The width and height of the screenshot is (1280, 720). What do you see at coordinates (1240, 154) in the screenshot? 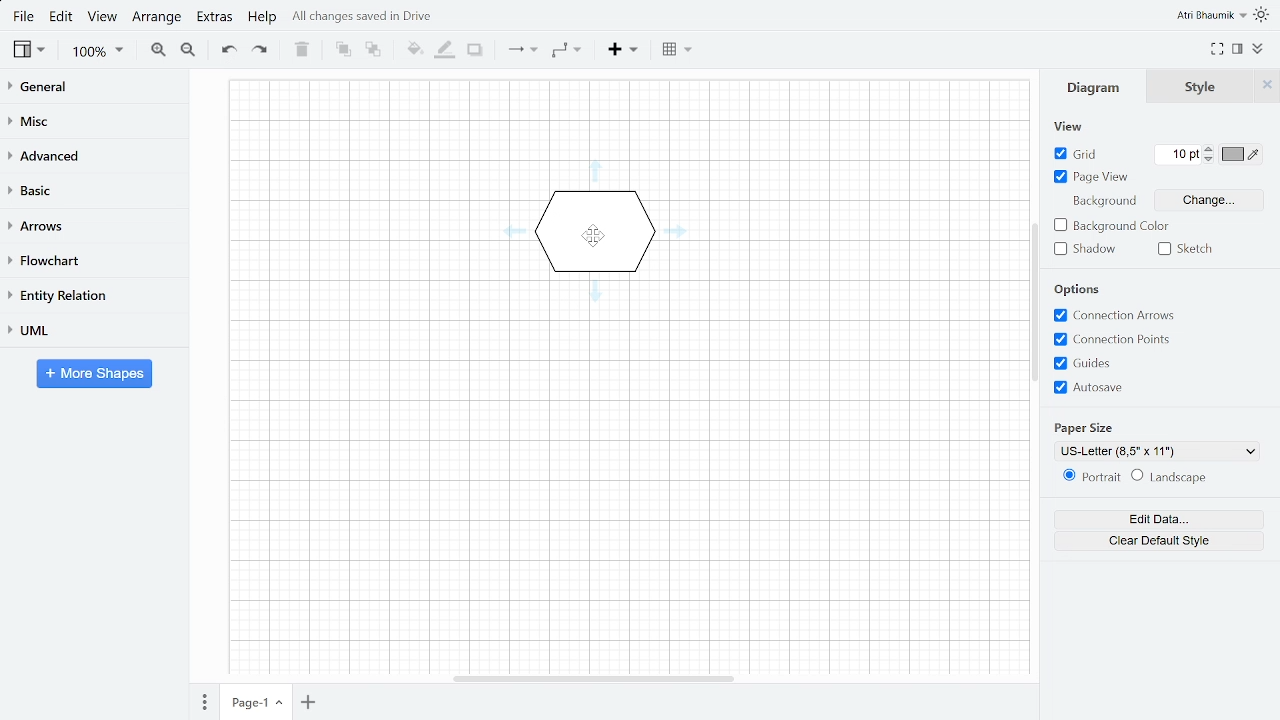
I see `Color picker` at bounding box center [1240, 154].